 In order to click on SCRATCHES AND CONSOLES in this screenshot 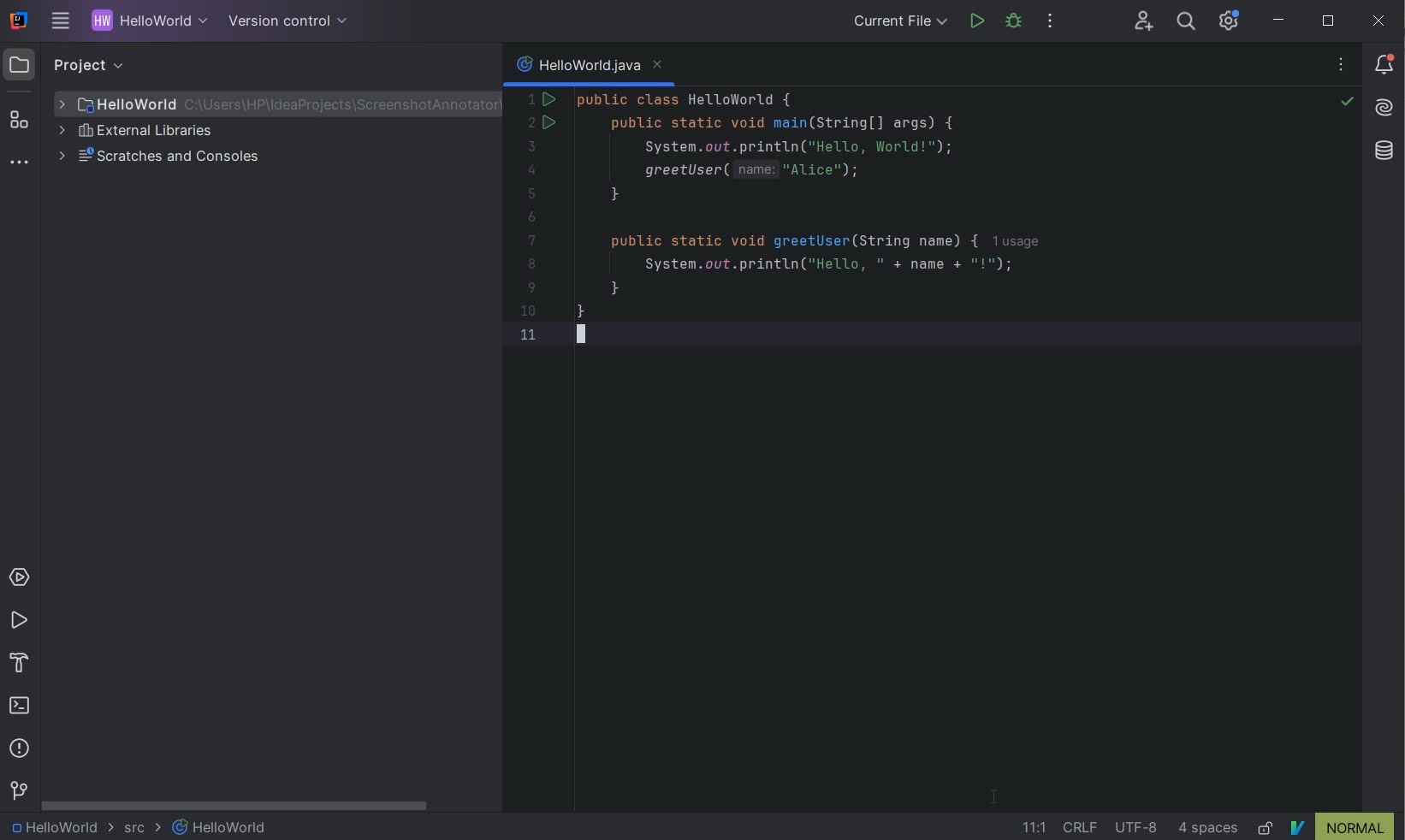, I will do `click(164, 157)`.